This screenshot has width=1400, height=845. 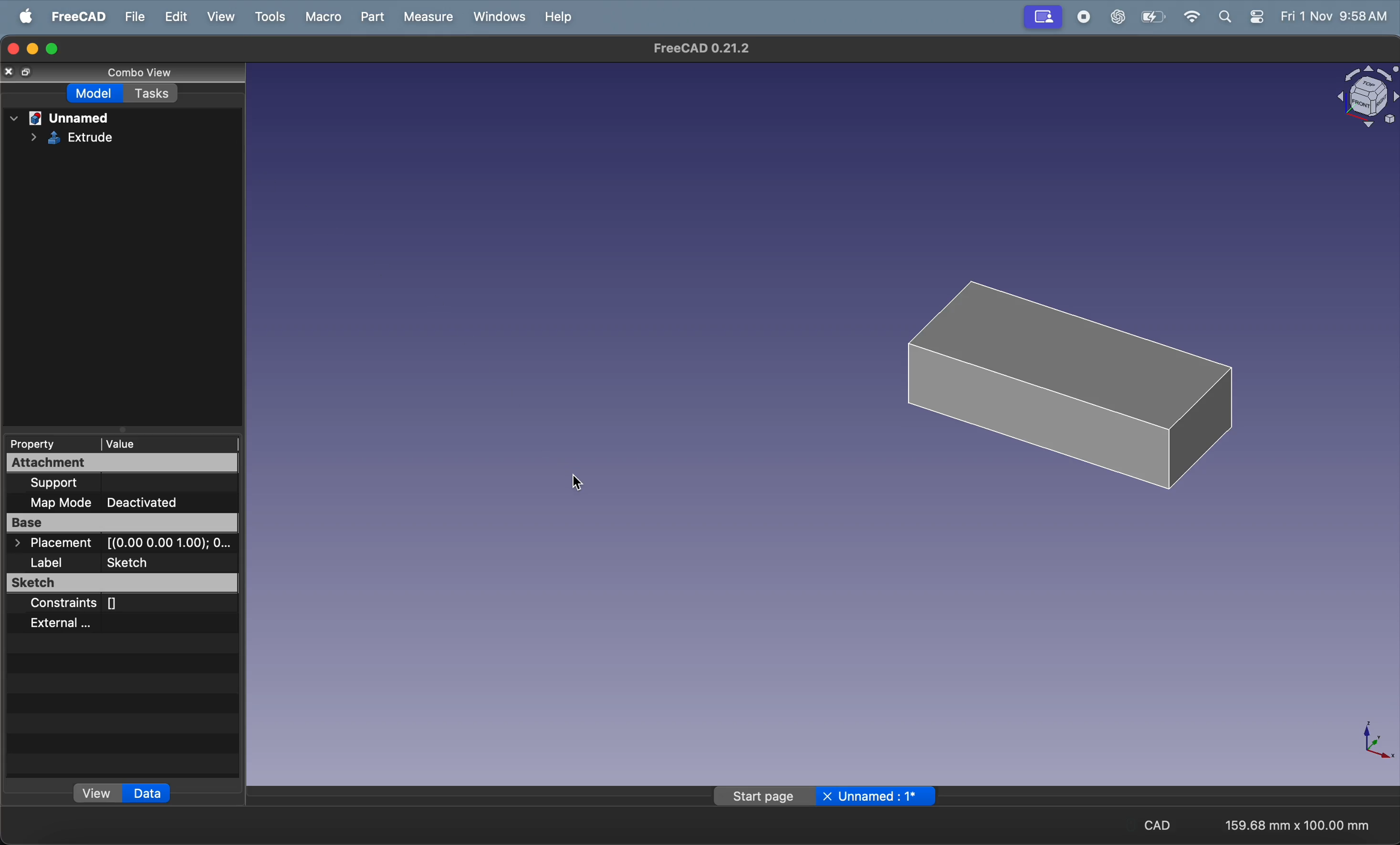 What do you see at coordinates (63, 118) in the screenshot?
I see `unnamed` at bounding box center [63, 118].